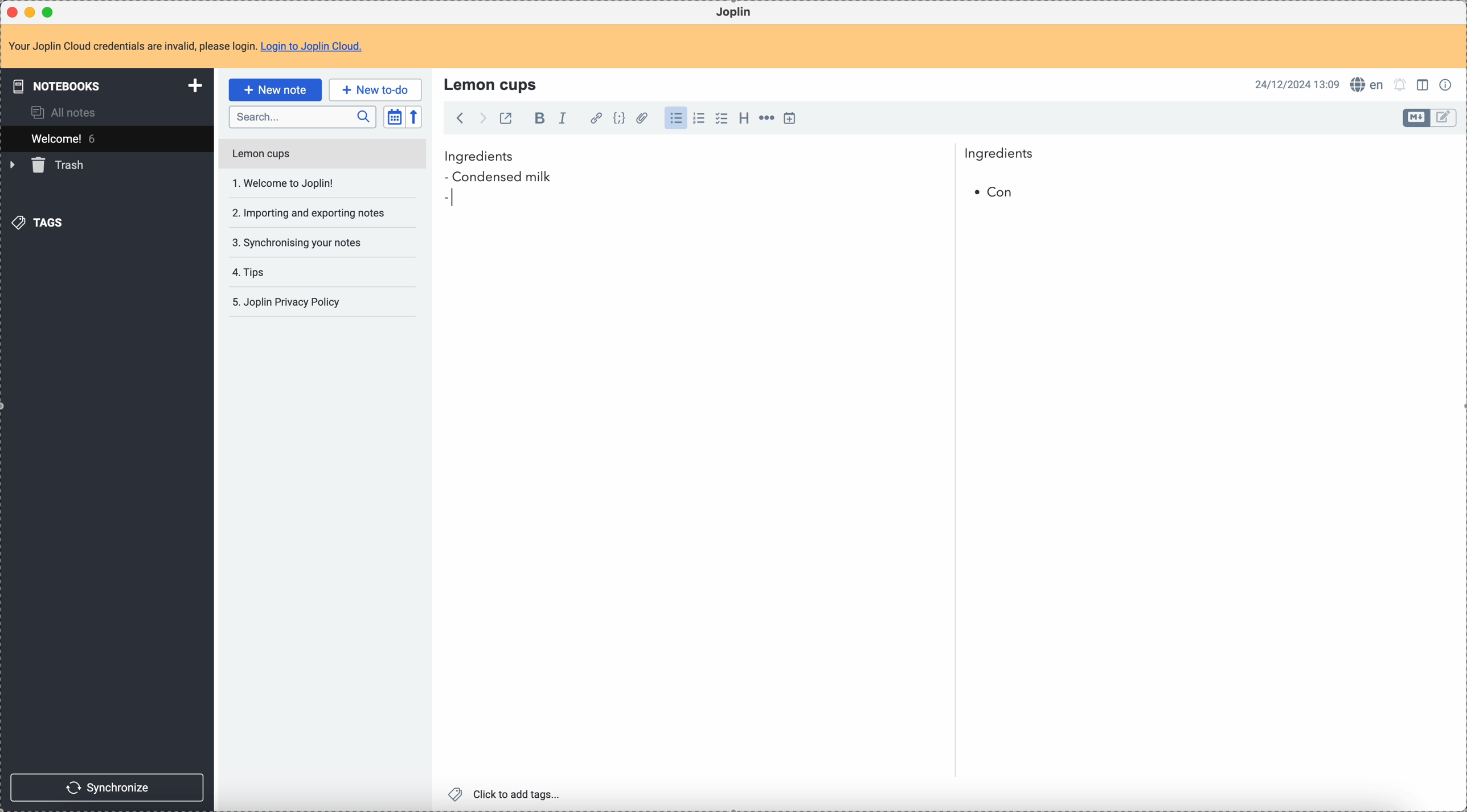  What do you see at coordinates (67, 112) in the screenshot?
I see `all notes` at bounding box center [67, 112].